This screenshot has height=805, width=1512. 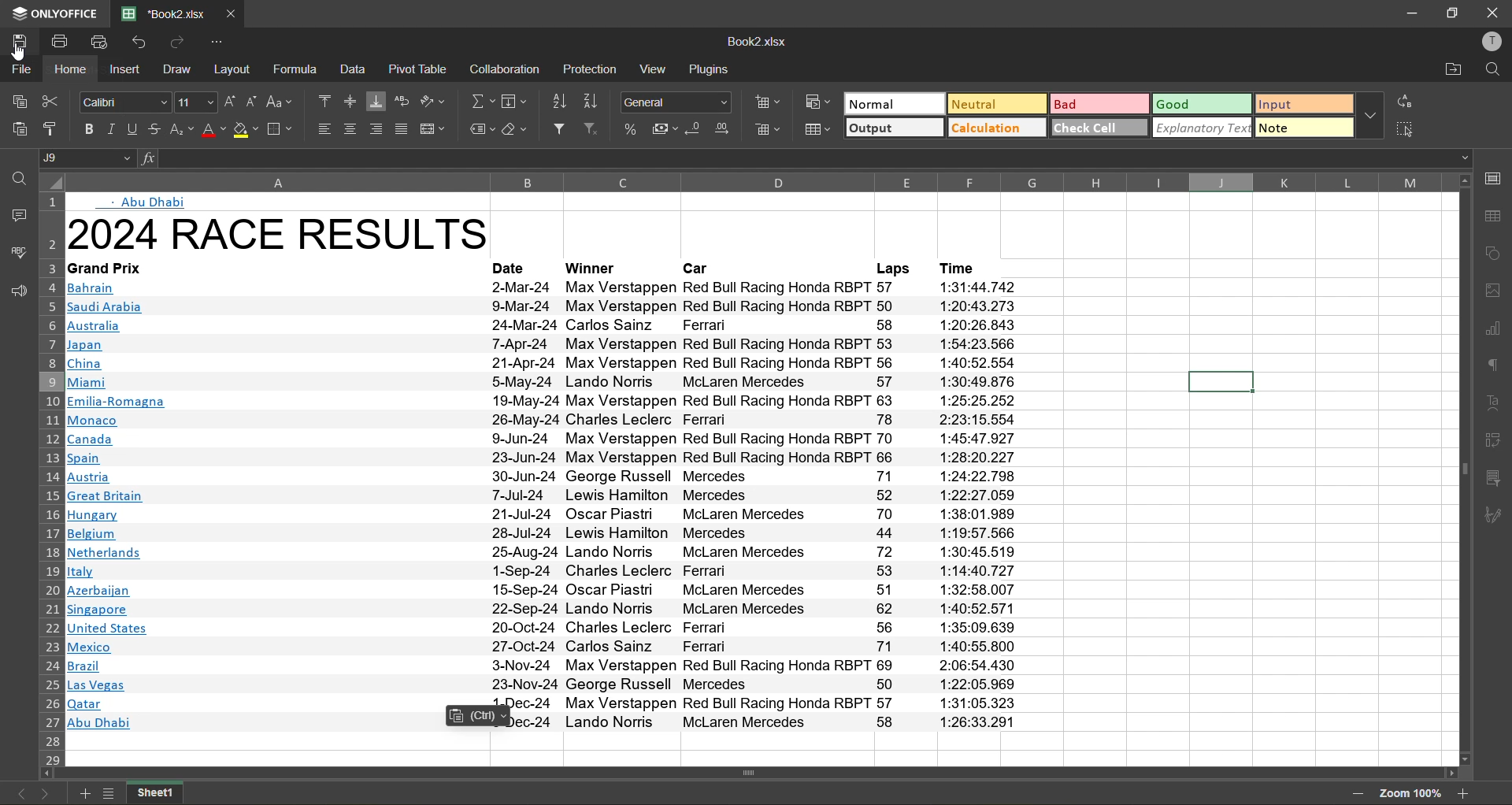 What do you see at coordinates (894, 127) in the screenshot?
I see `output` at bounding box center [894, 127].